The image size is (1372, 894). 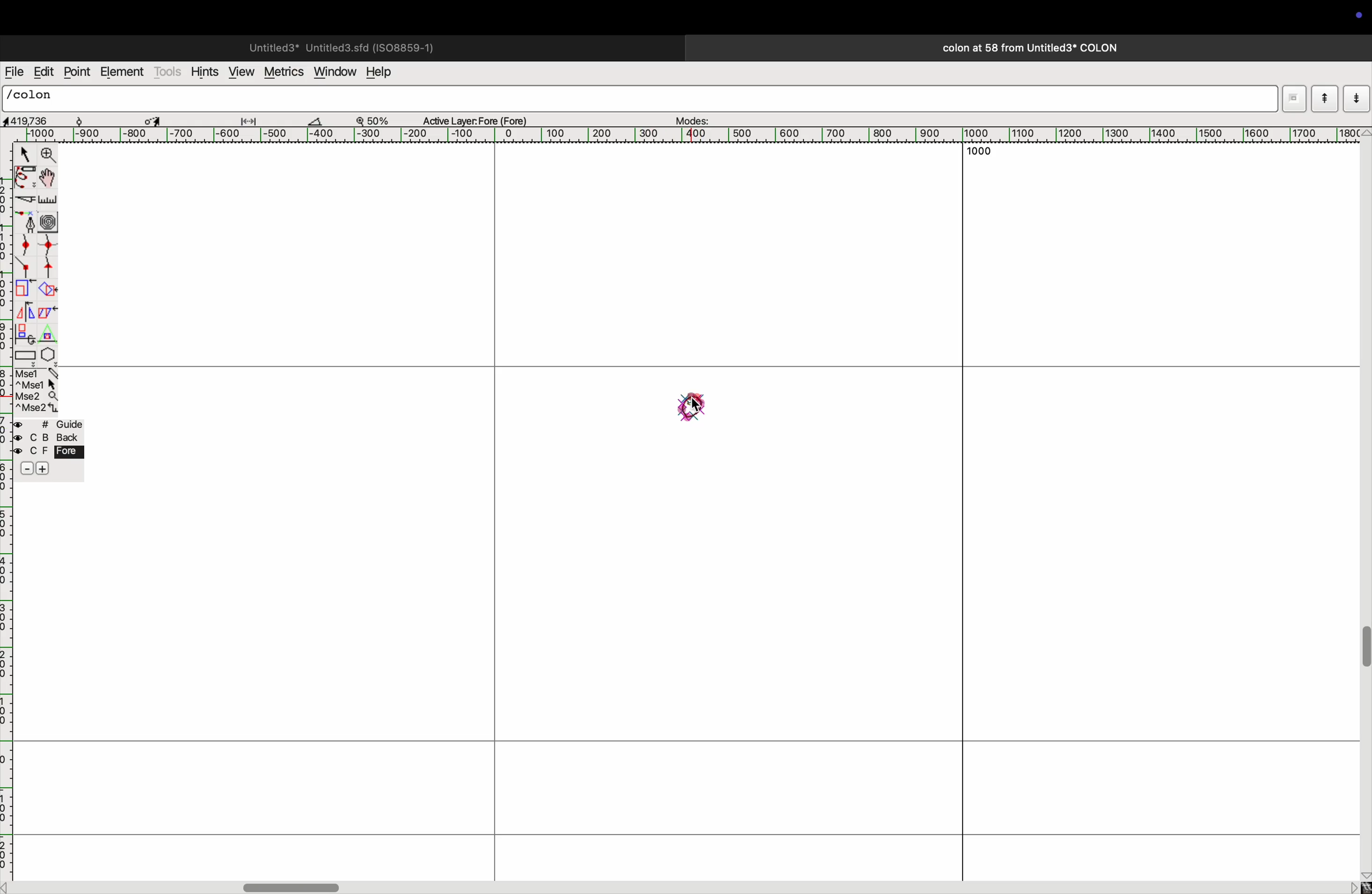 What do you see at coordinates (1356, 97) in the screenshot?
I see `mode down` at bounding box center [1356, 97].